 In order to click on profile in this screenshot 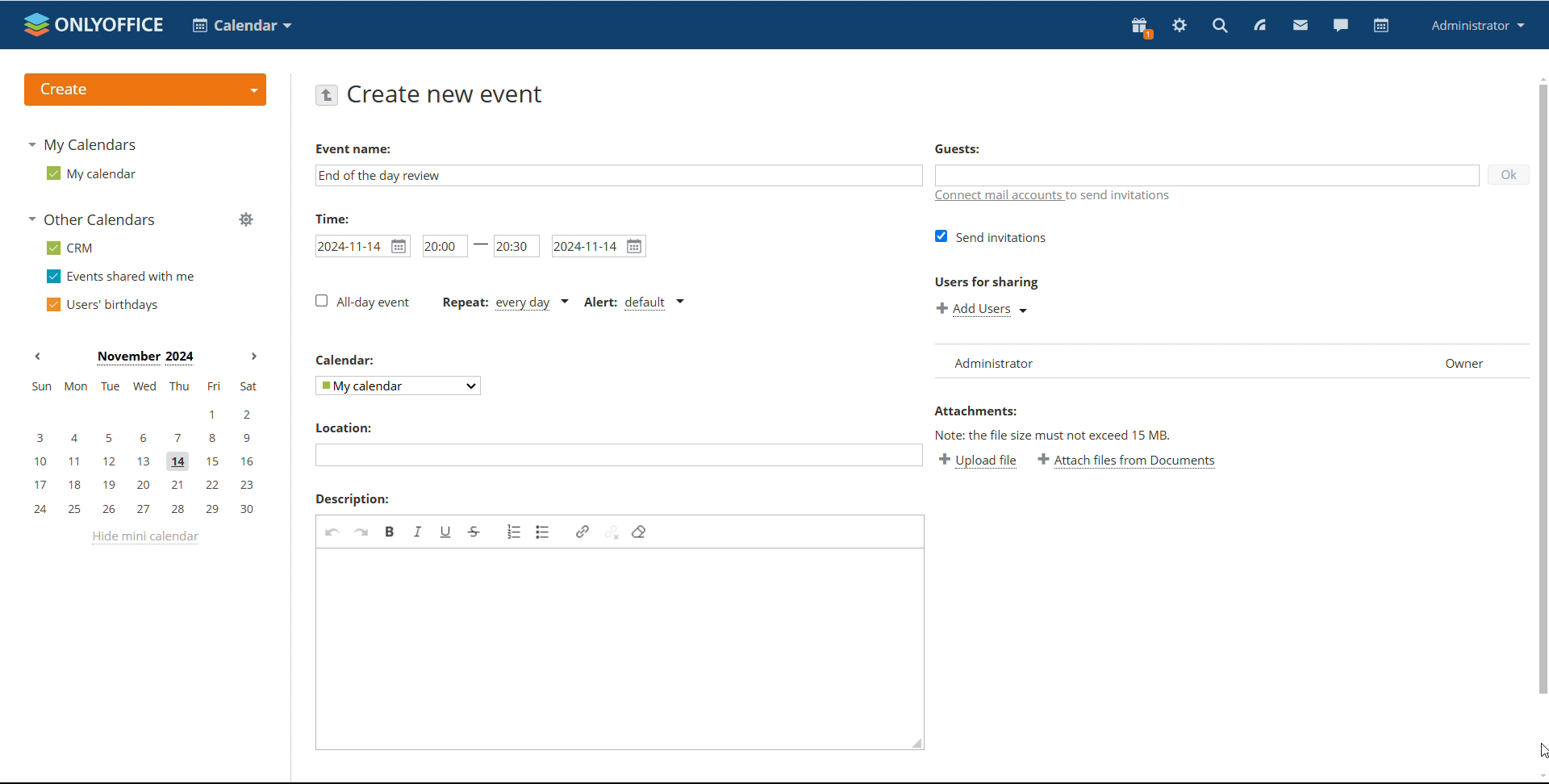, I will do `click(1478, 25)`.